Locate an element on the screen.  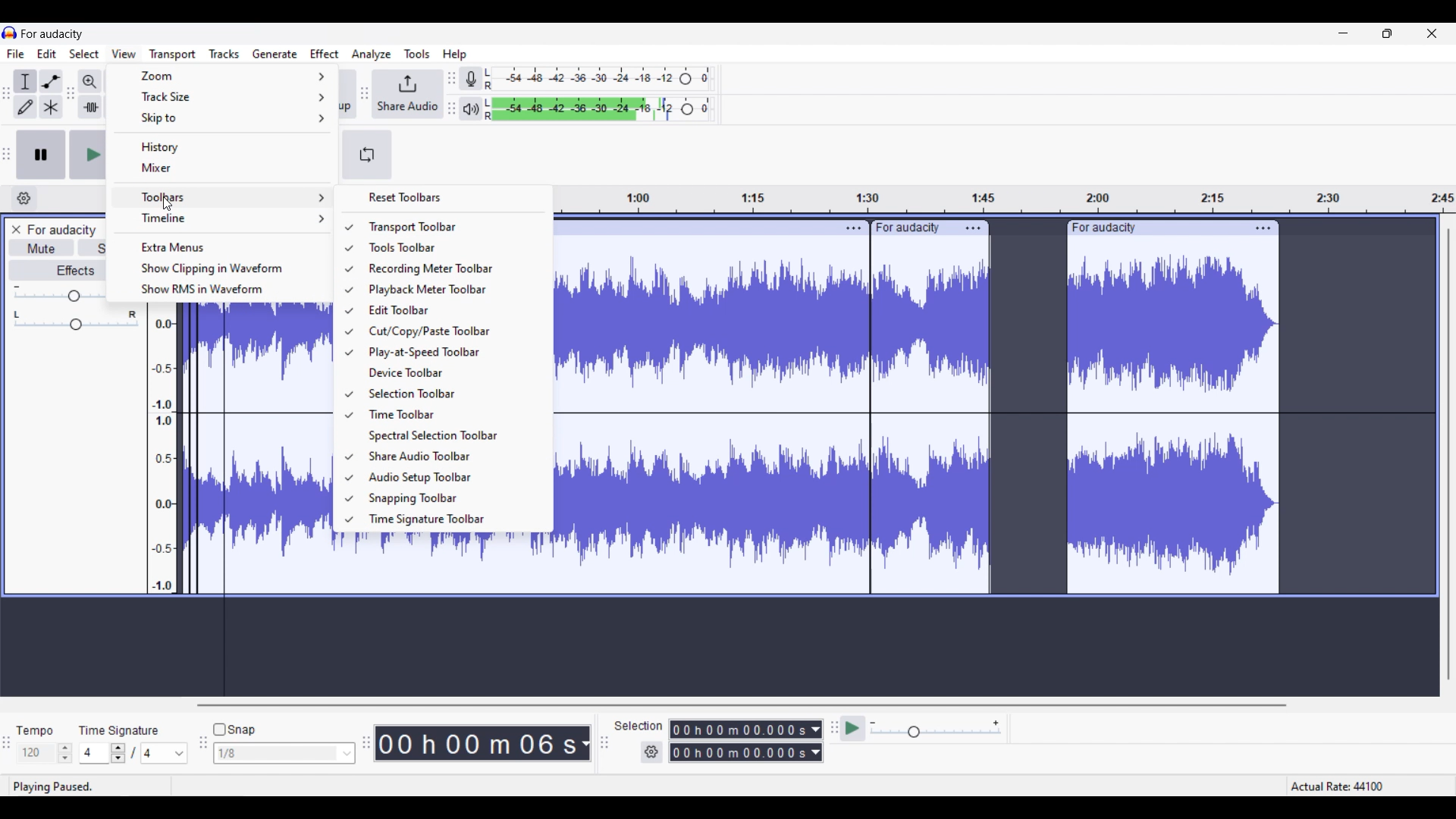
Reset toolbars is located at coordinates (444, 197).